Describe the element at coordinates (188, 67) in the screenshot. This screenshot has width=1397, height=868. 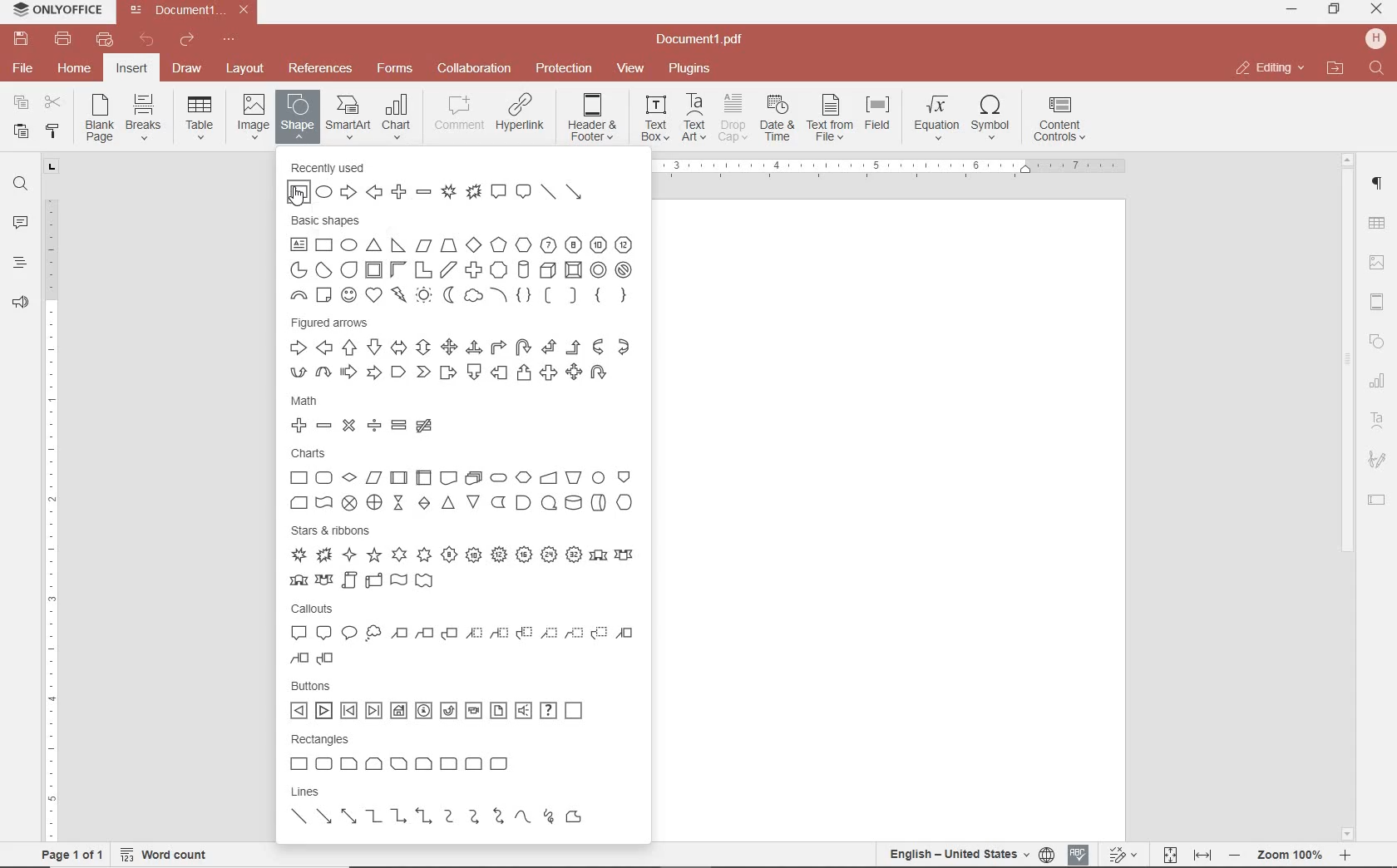
I see `draw` at that location.